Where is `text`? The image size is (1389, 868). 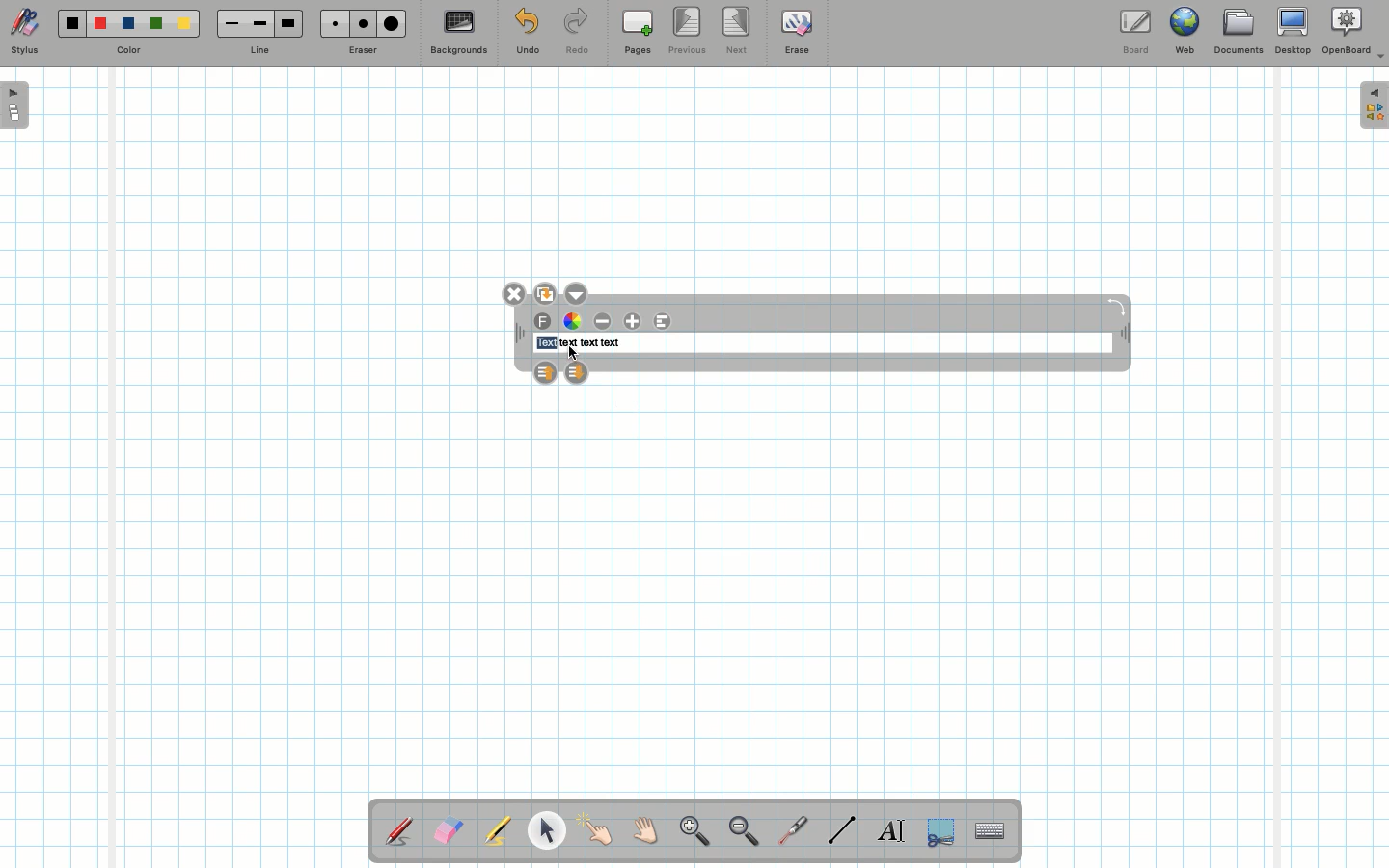 text is located at coordinates (611, 343).